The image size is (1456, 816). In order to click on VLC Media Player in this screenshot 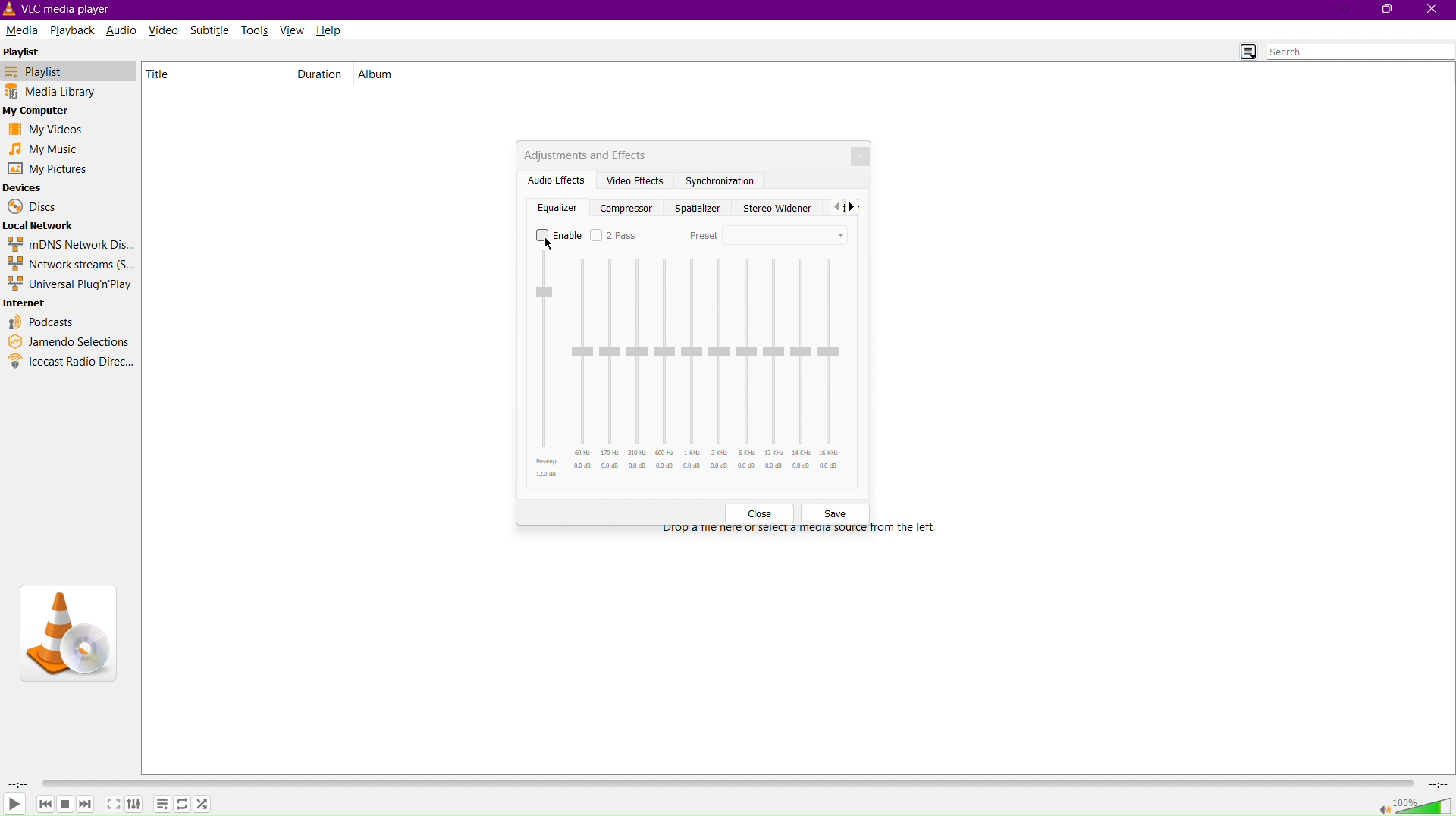, I will do `click(58, 9)`.